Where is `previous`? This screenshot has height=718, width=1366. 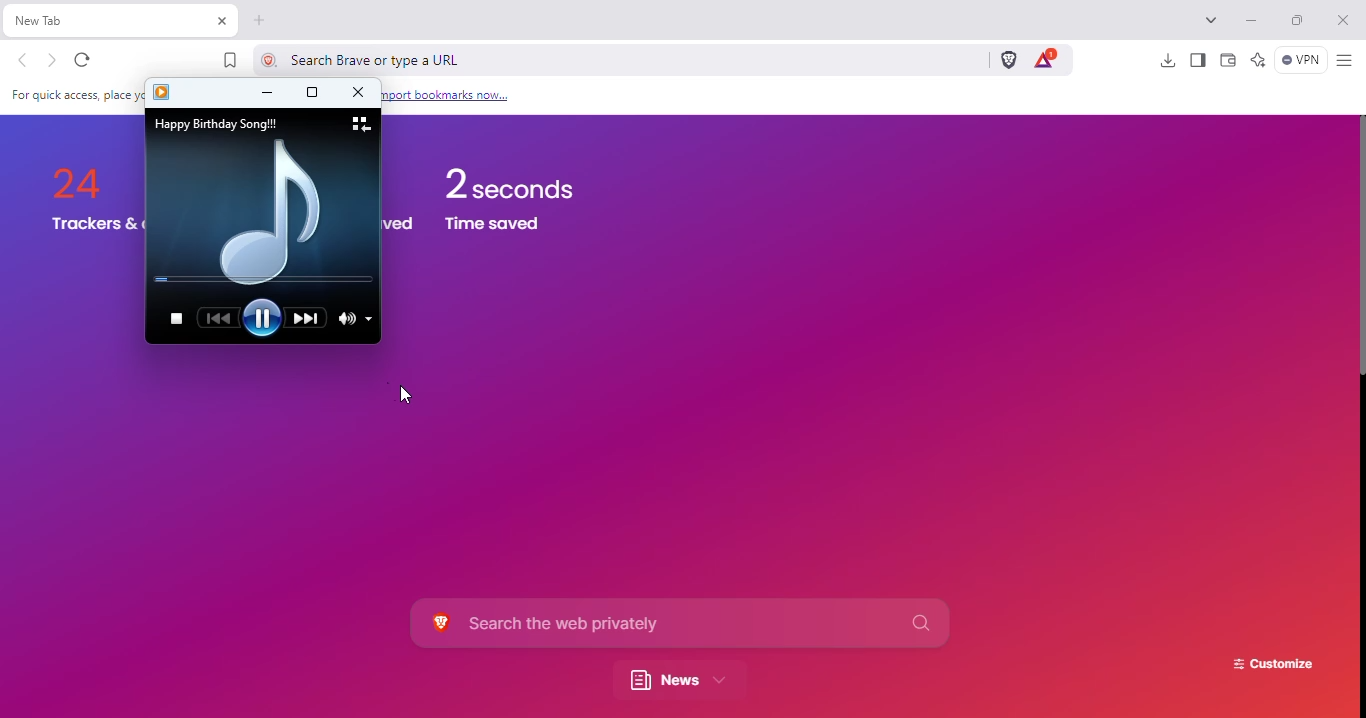 previous is located at coordinates (219, 318).